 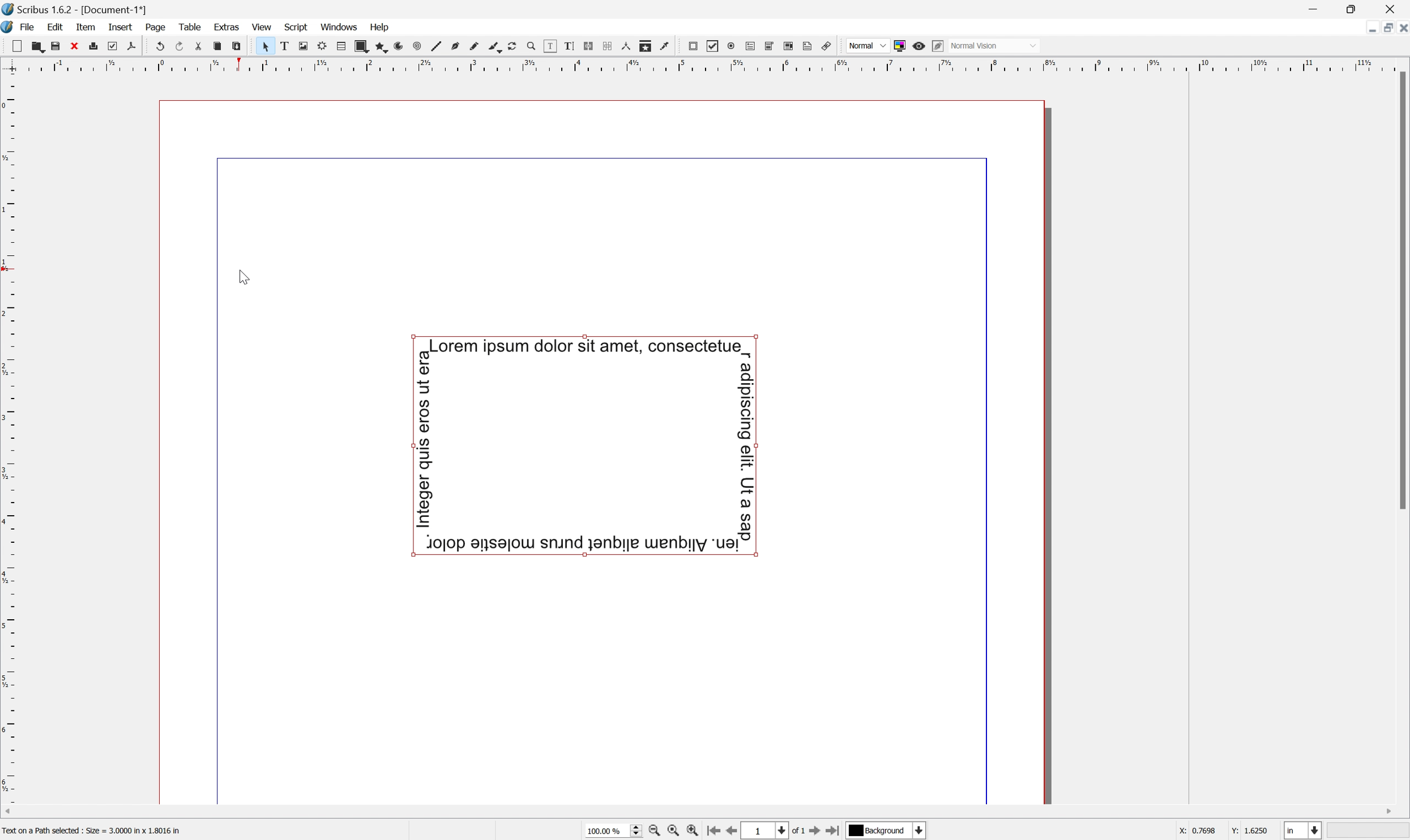 I want to click on Restore Down, so click(x=1351, y=7).